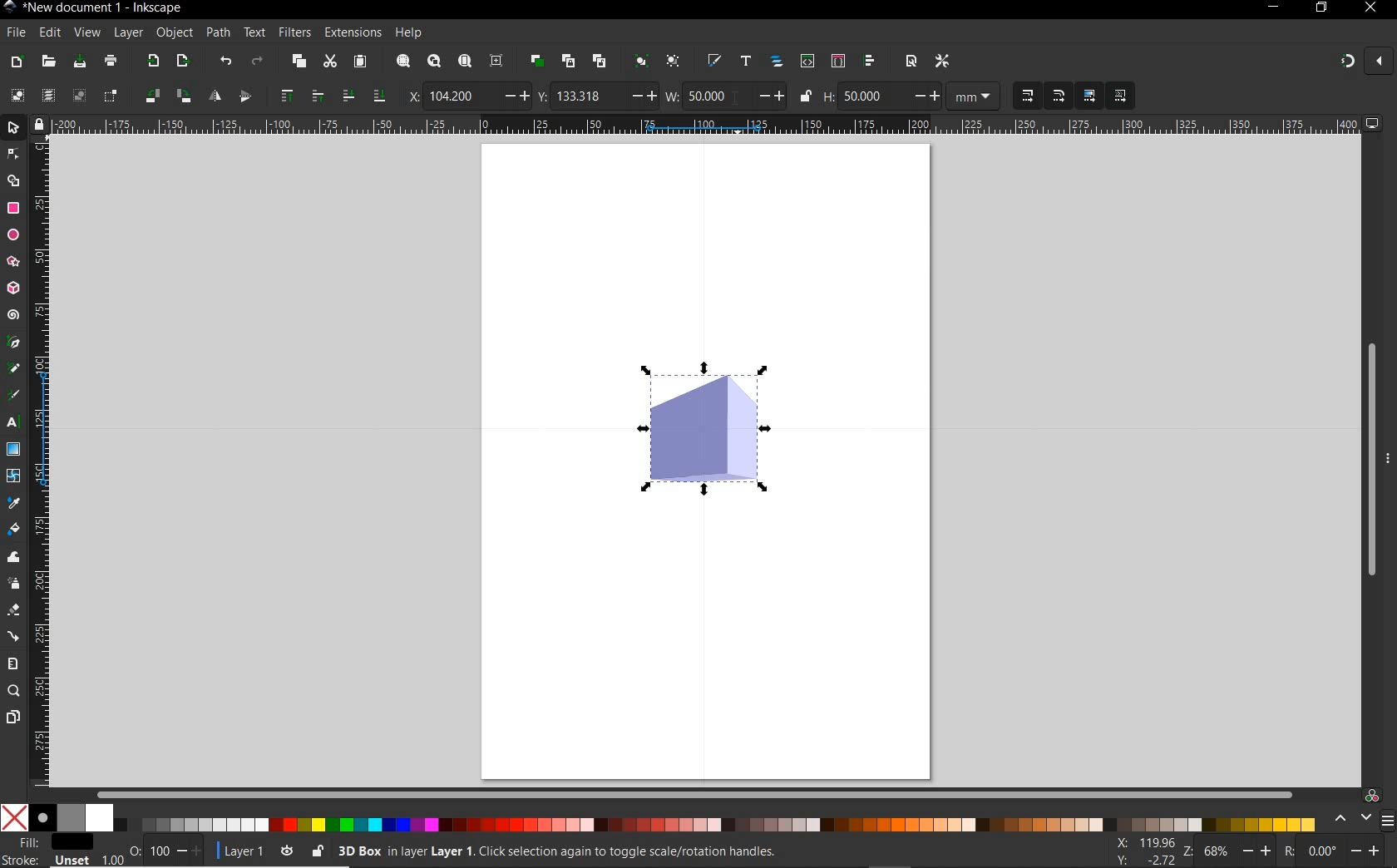 This screenshot has height=868, width=1397. Describe the element at coordinates (190, 851) in the screenshot. I see `increase/decrease` at that location.